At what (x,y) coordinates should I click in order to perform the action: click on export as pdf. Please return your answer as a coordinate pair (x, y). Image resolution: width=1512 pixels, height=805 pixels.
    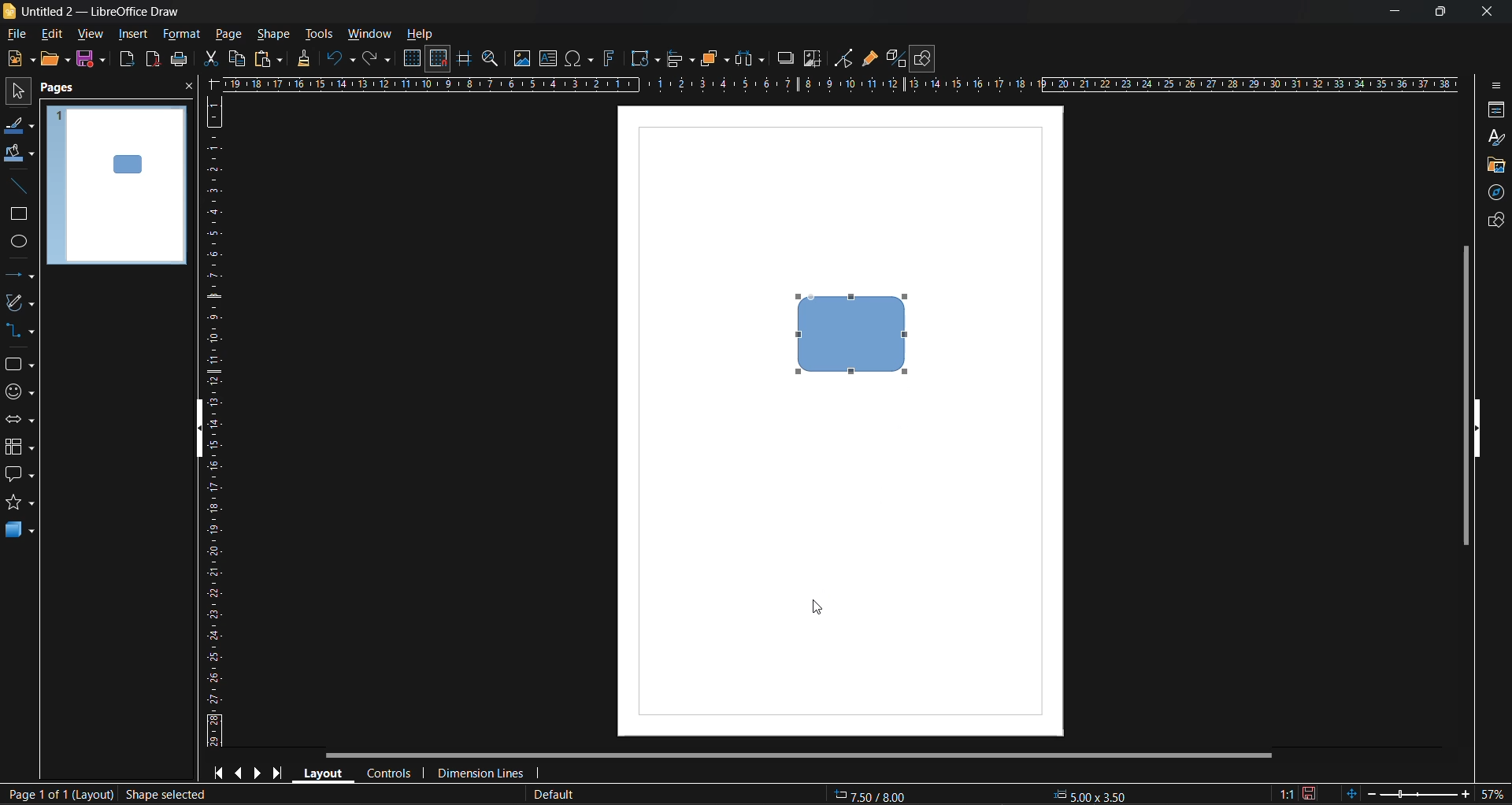
    Looking at the image, I should click on (152, 58).